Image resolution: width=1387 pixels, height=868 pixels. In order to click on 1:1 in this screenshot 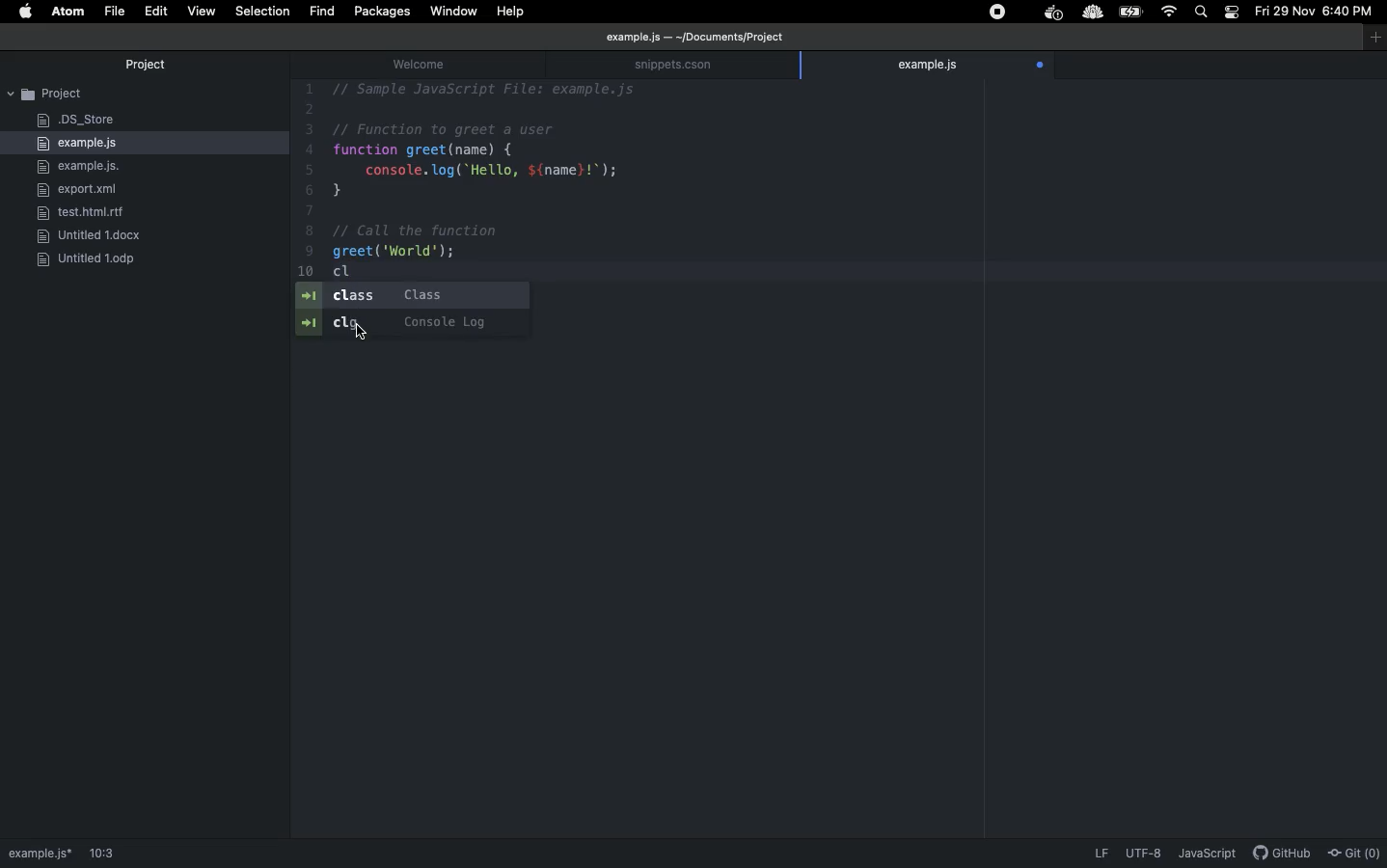, I will do `click(106, 852)`.